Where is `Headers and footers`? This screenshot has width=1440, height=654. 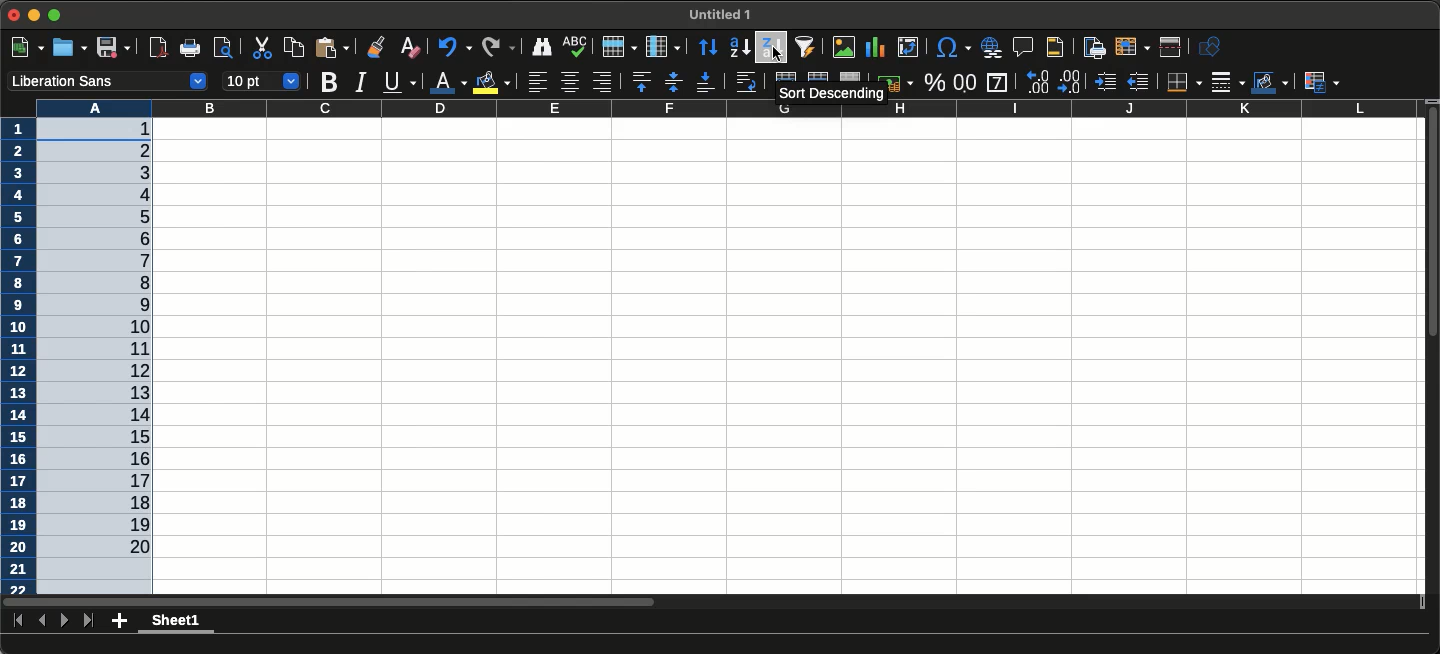 Headers and footers is located at coordinates (1053, 47).